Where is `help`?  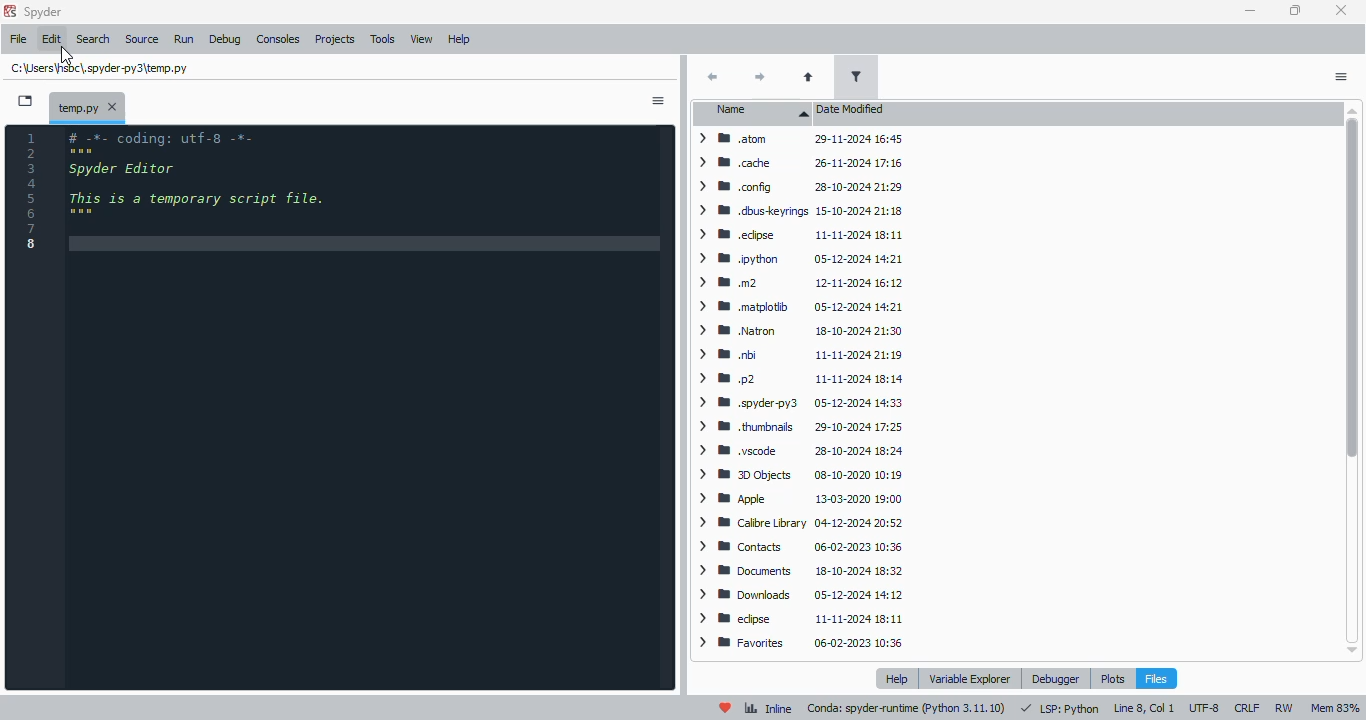 help is located at coordinates (899, 679).